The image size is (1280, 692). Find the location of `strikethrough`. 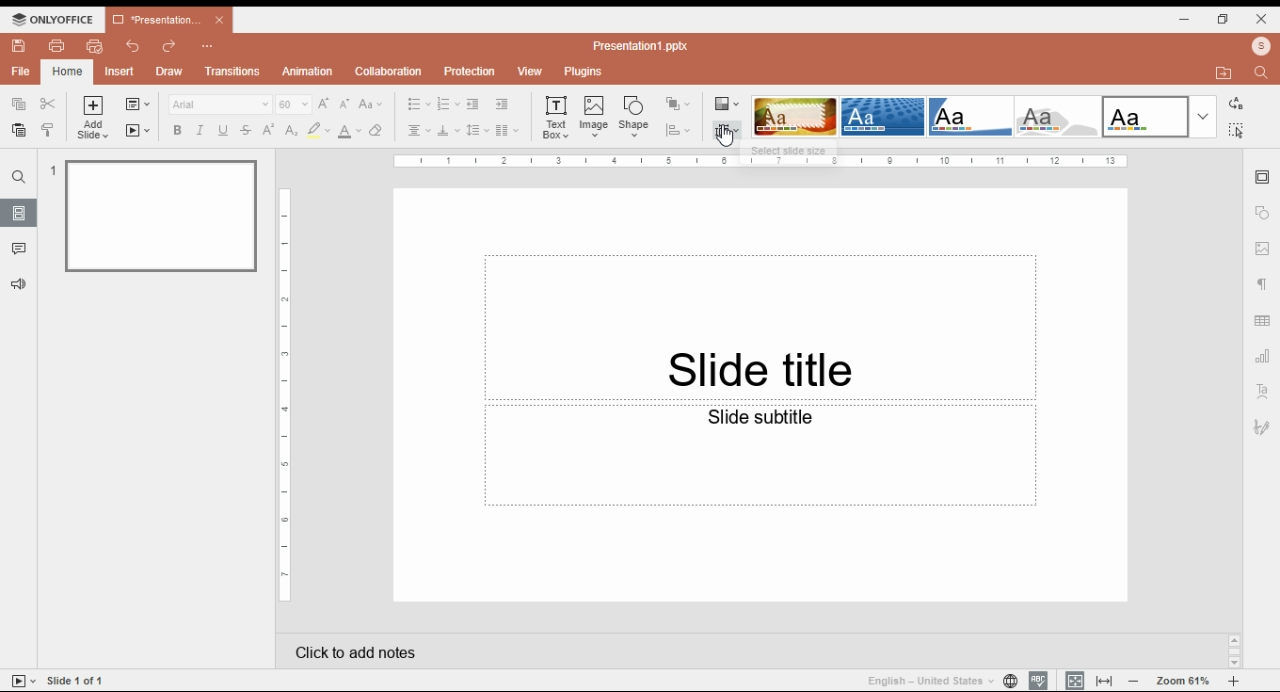

strikethrough is located at coordinates (246, 130).